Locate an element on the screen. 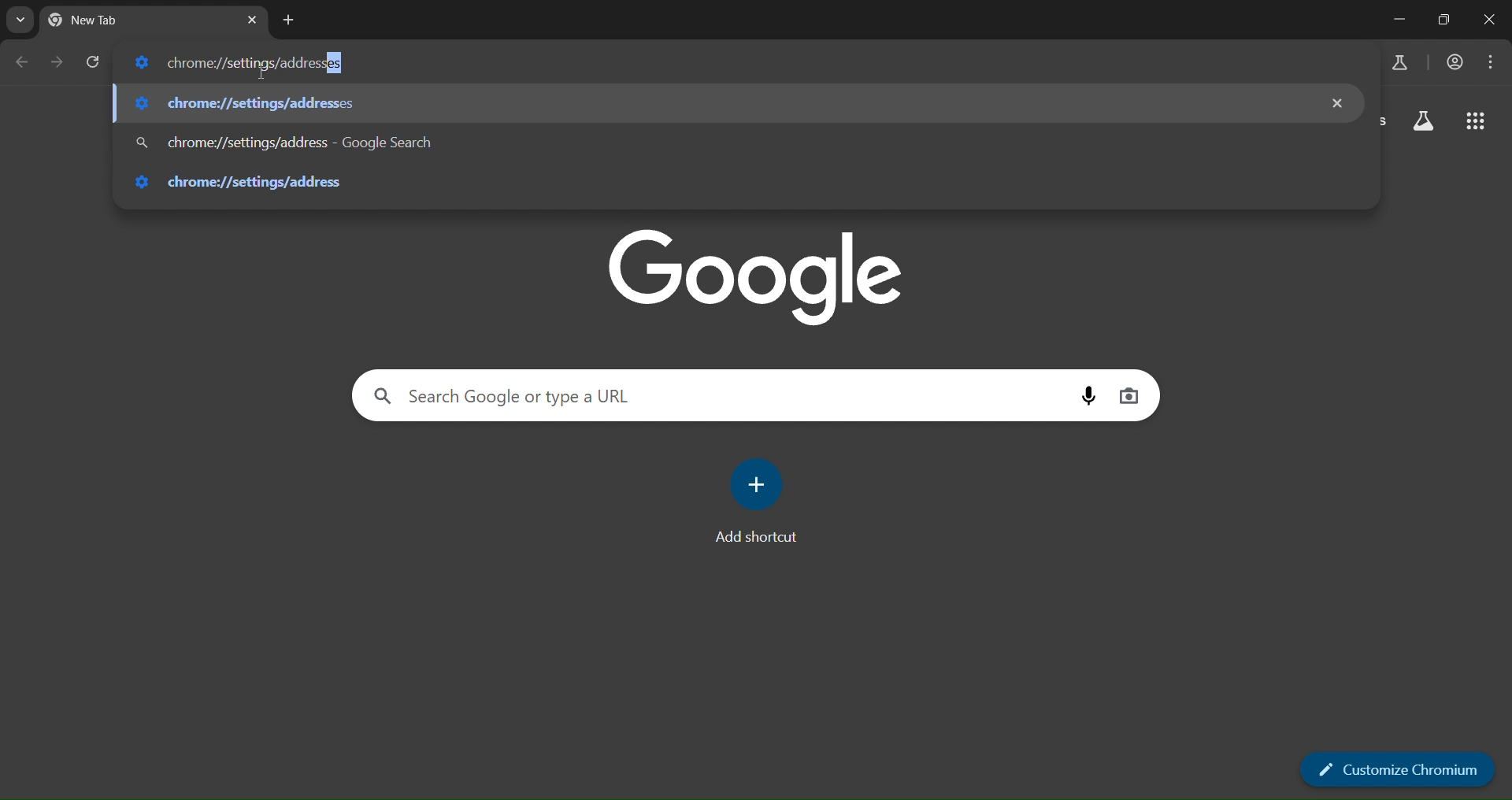 The height and width of the screenshot is (800, 1512). menu is located at coordinates (1495, 62).